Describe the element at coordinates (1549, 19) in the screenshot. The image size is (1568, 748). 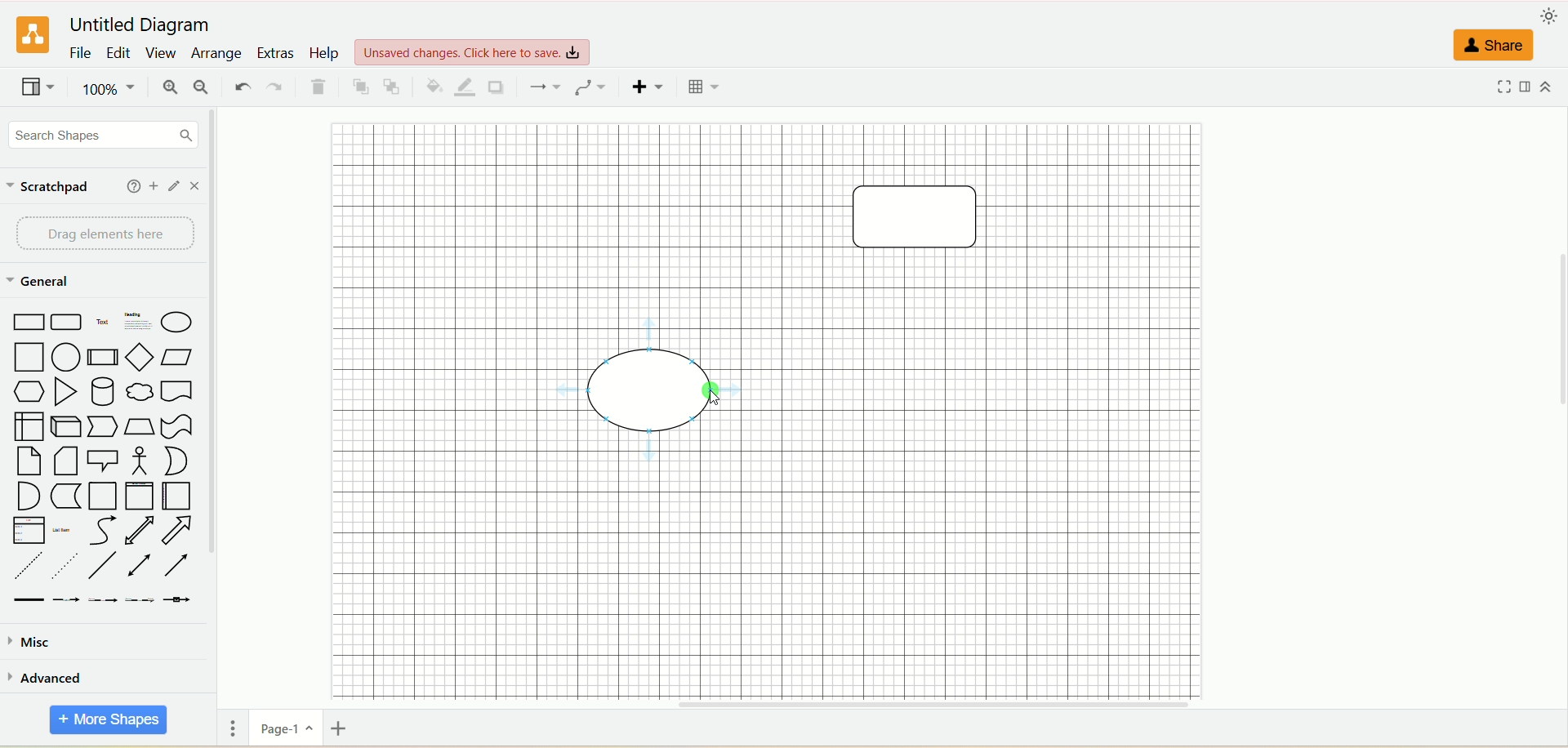
I see `appearance` at that location.